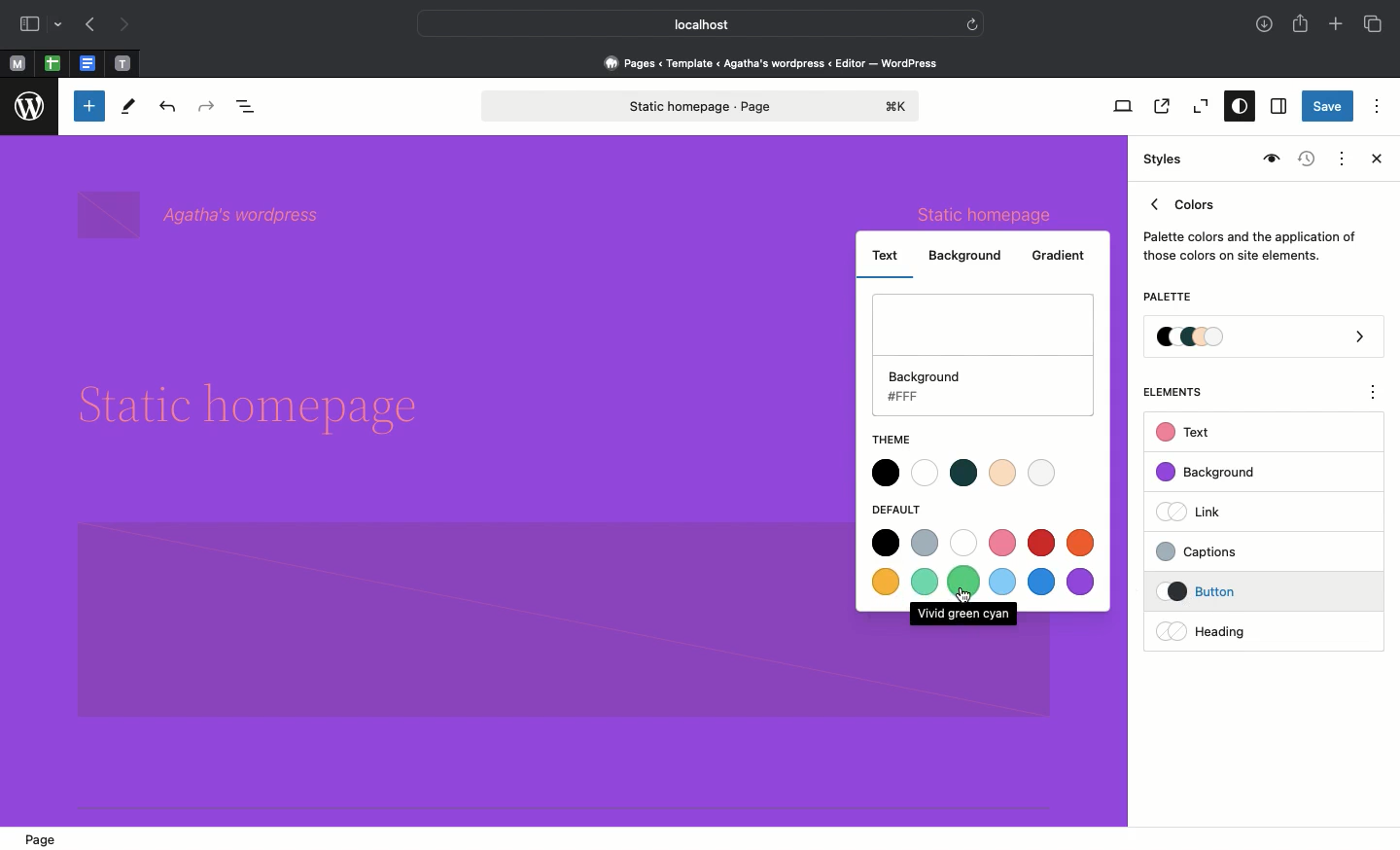 The image size is (1400, 850). I want to click on Sidebar, so click(29, 24).